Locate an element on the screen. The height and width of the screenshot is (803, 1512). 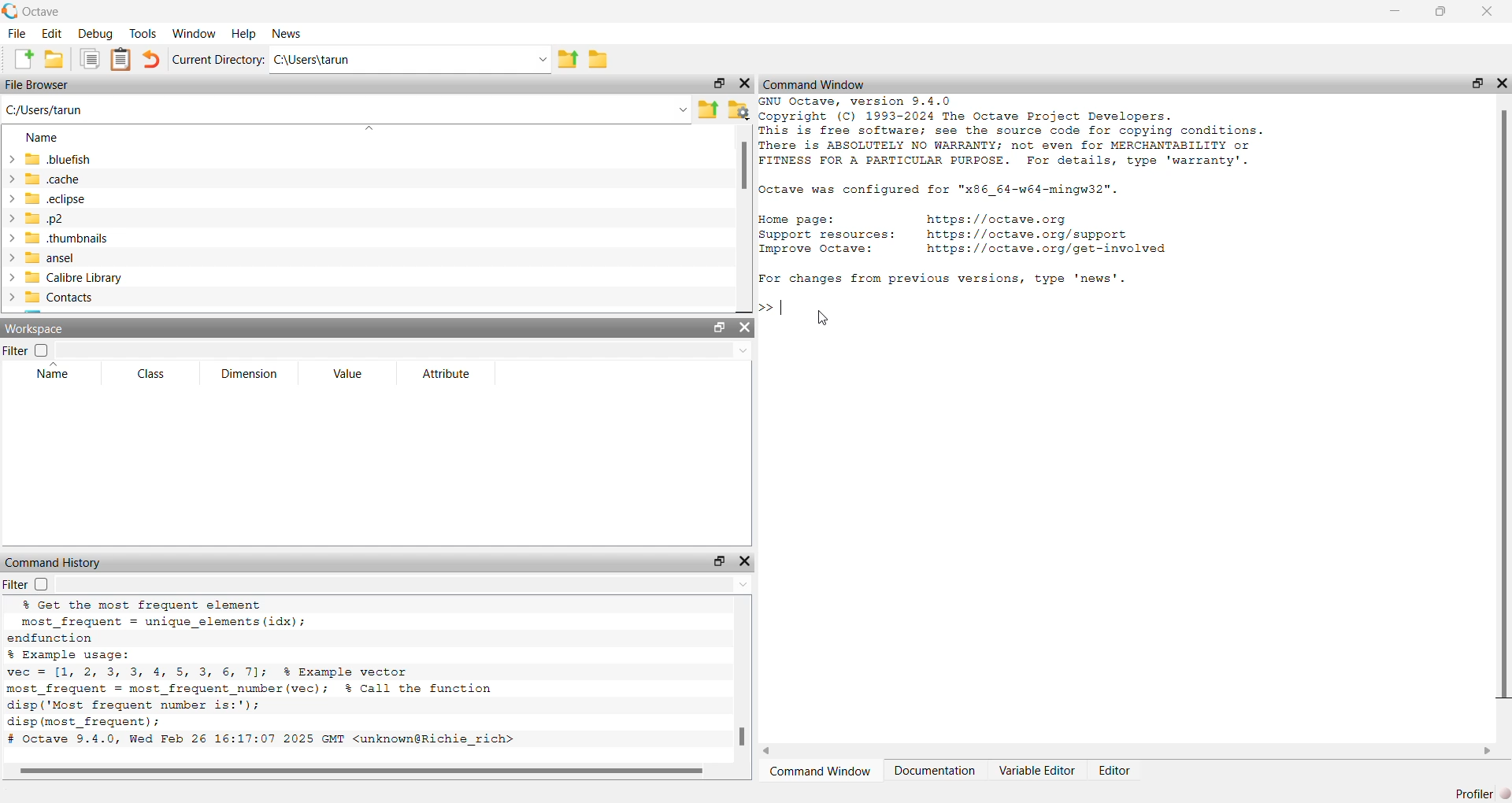
Browse Directions is located at coordinates (598, 58).